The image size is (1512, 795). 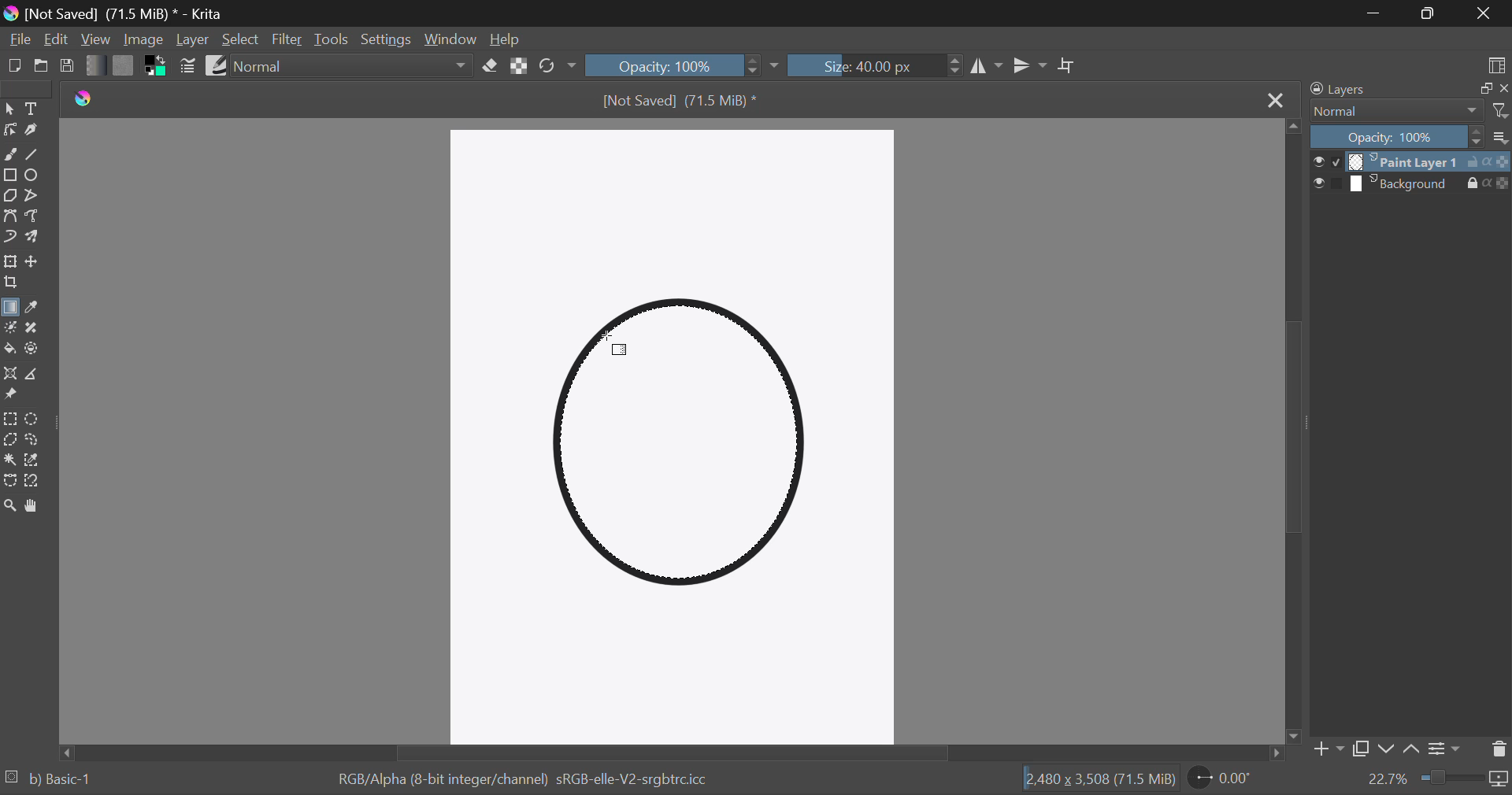 I want to click on New, so click(x=13, y=66).